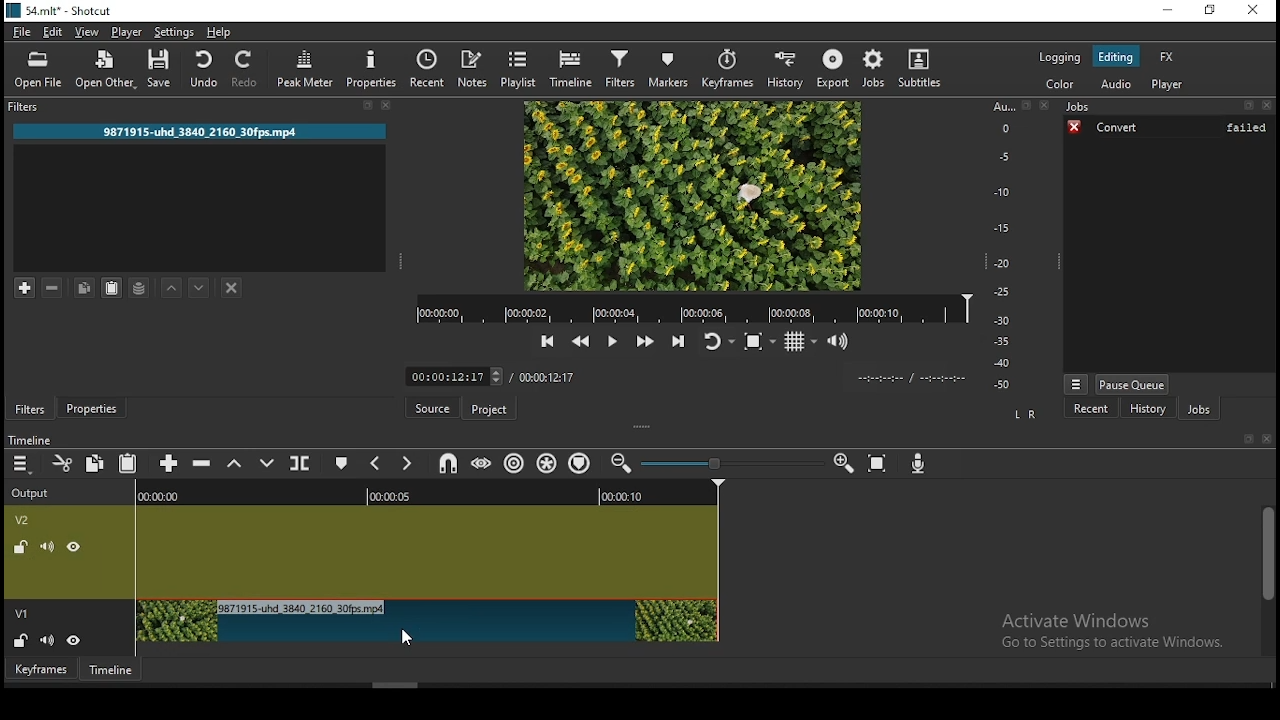 The width and height of the screenshot is (1280, 720). Describe the element at coordinates (370, 68) in the screenshot. I see `properties` at that location.